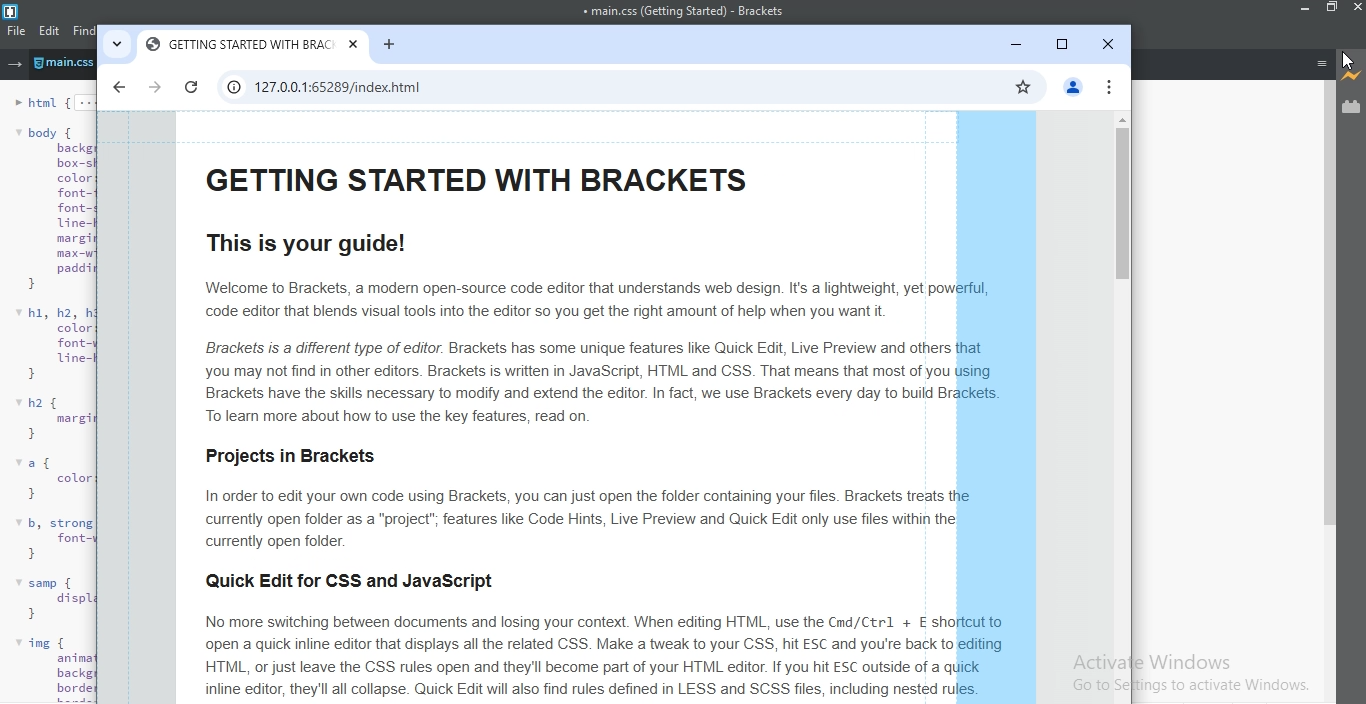 The width and height of the screenshot is (1366, 704). I want to click on favourites, so click(1023, 85).